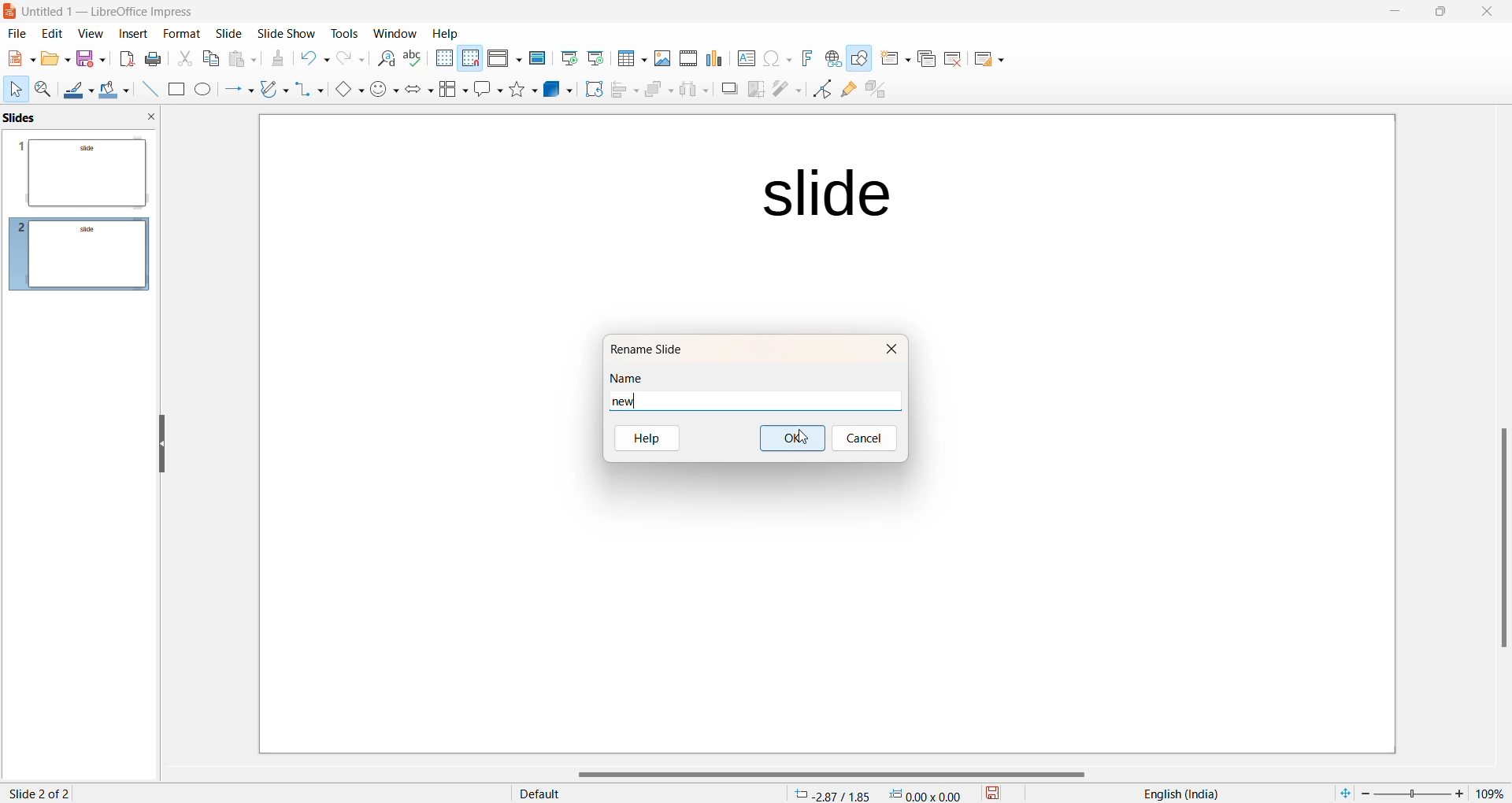 The image size is (1512, 803). Describe the element at coordinates (569, 59) in the screenshot. I see `Start from first slide` at that location.